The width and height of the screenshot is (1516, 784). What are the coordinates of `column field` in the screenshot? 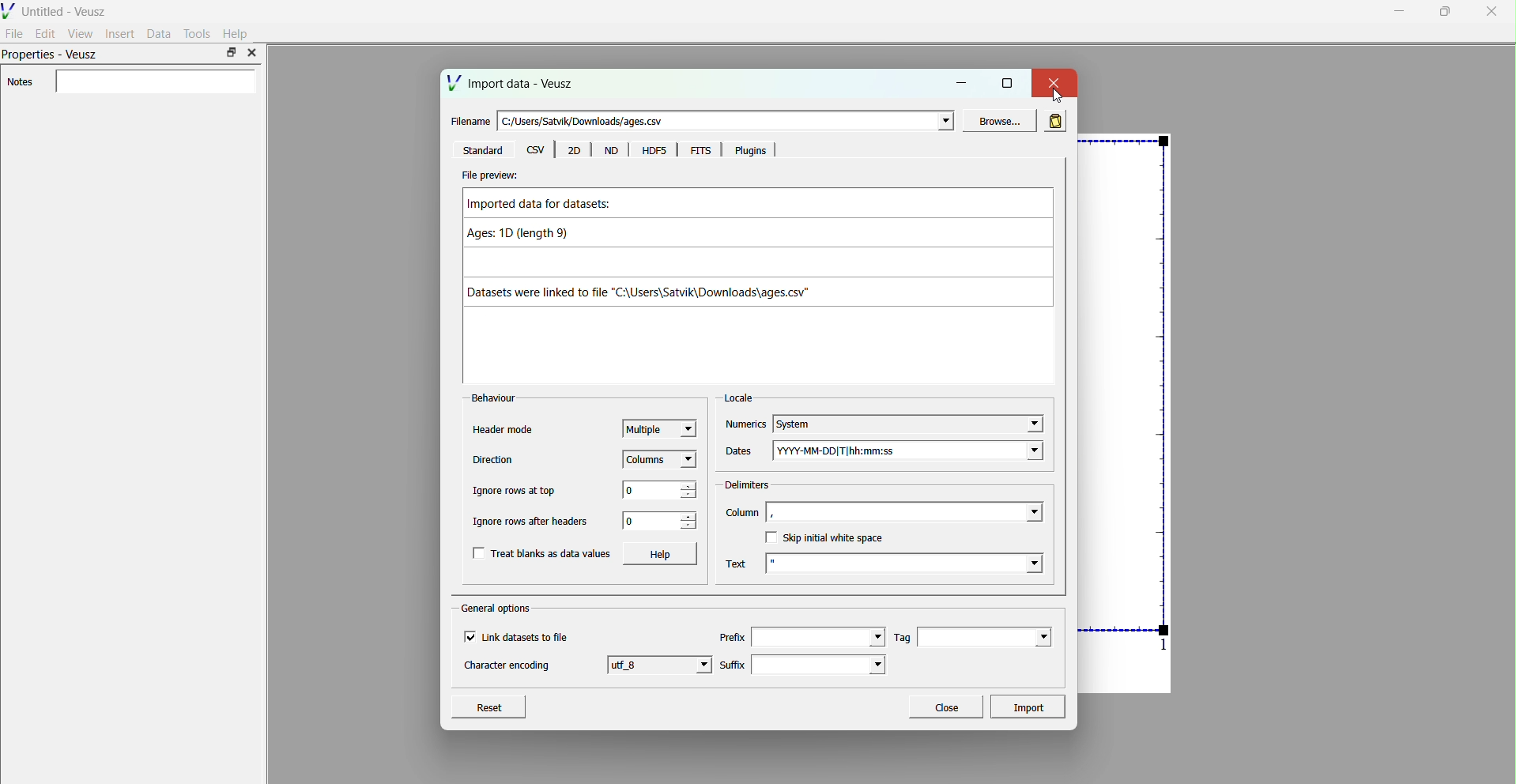 It's located at (907, 512).